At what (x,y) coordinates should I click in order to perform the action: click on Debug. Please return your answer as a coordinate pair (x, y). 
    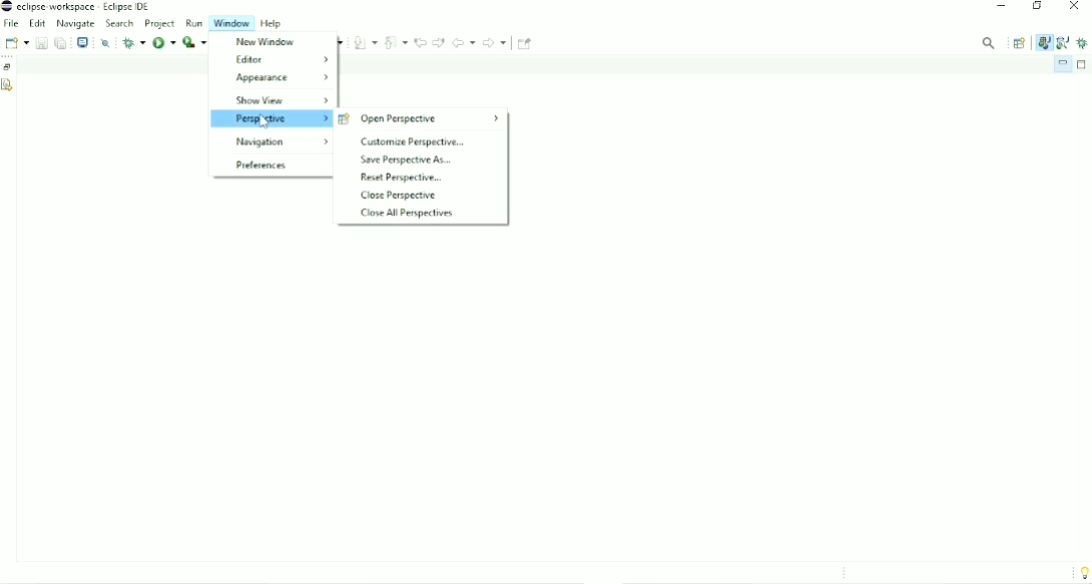
    Looking at the image, I should click on (1083, 42).